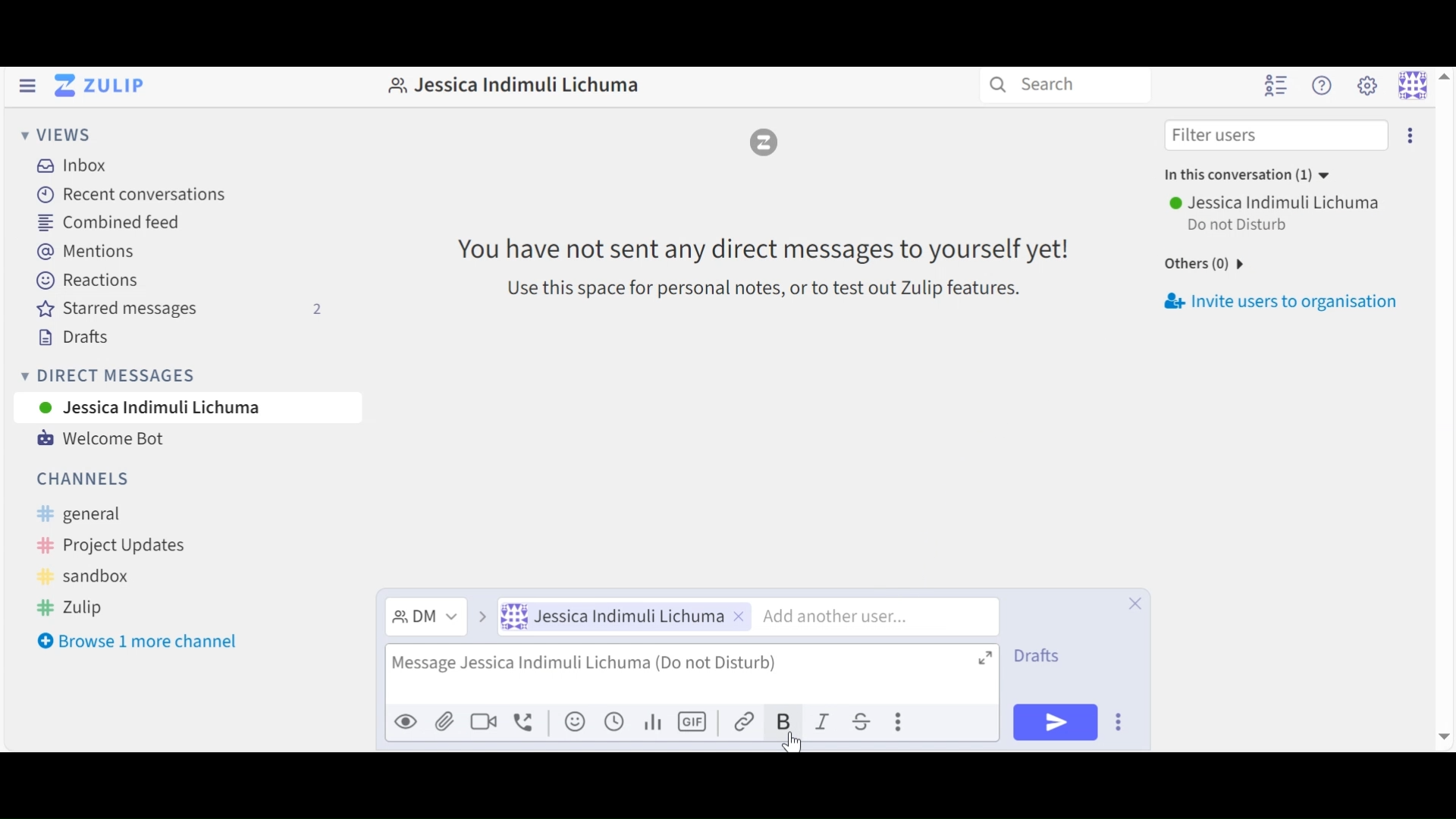  What do you see at coordinates (510, 89) in the screenshot?
I see `Jessica Indimuli Lichuma` at bounding box center [510, 89].